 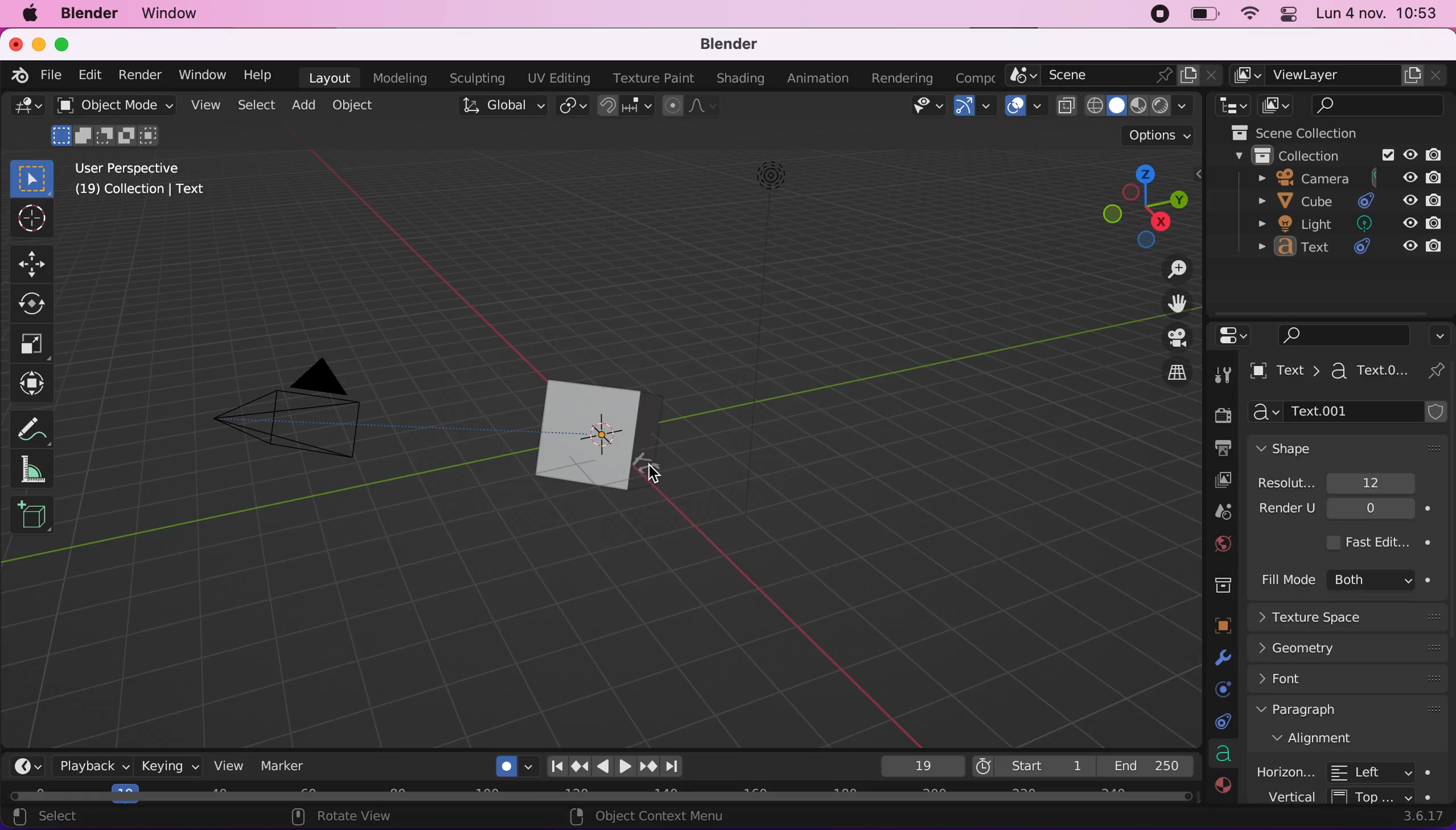 I want to click on physics, so click(x=1220, y=688).